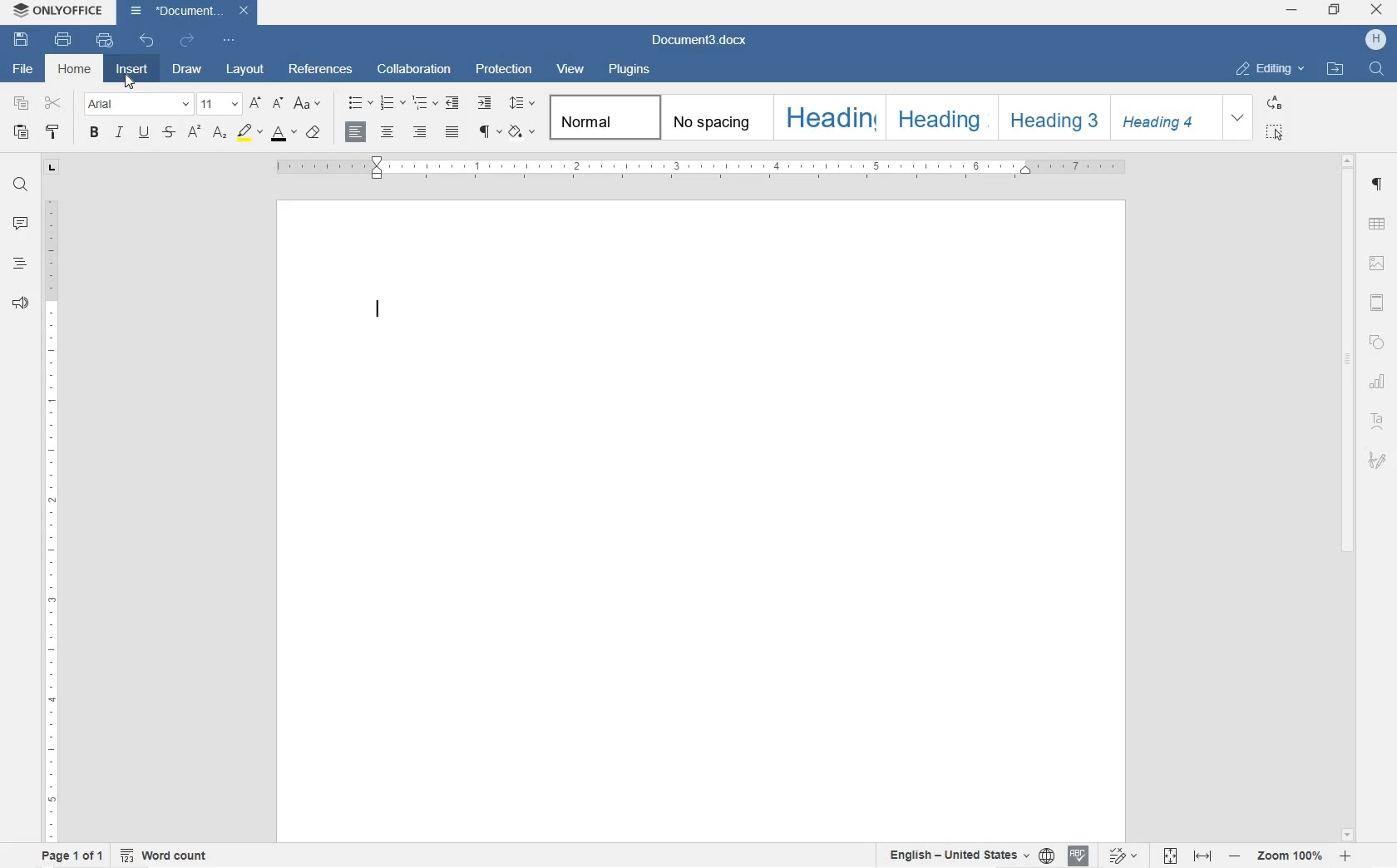 This screenshot has height=868, width=1397. I want to click on CURSOR, so click(131, 82).